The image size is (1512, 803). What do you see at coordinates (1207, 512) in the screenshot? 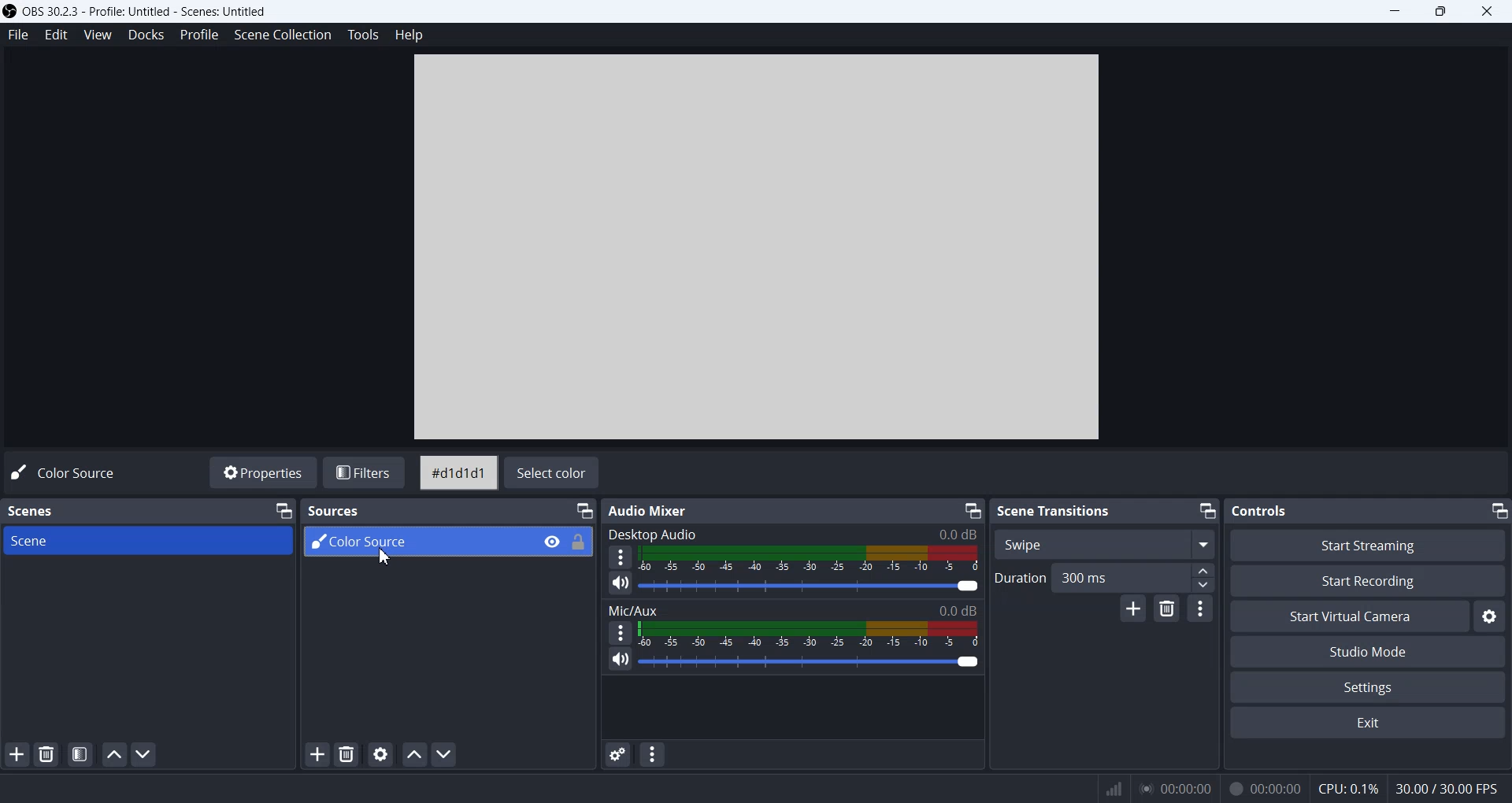
I see `Minimize` at bounding box center [1207, 512].